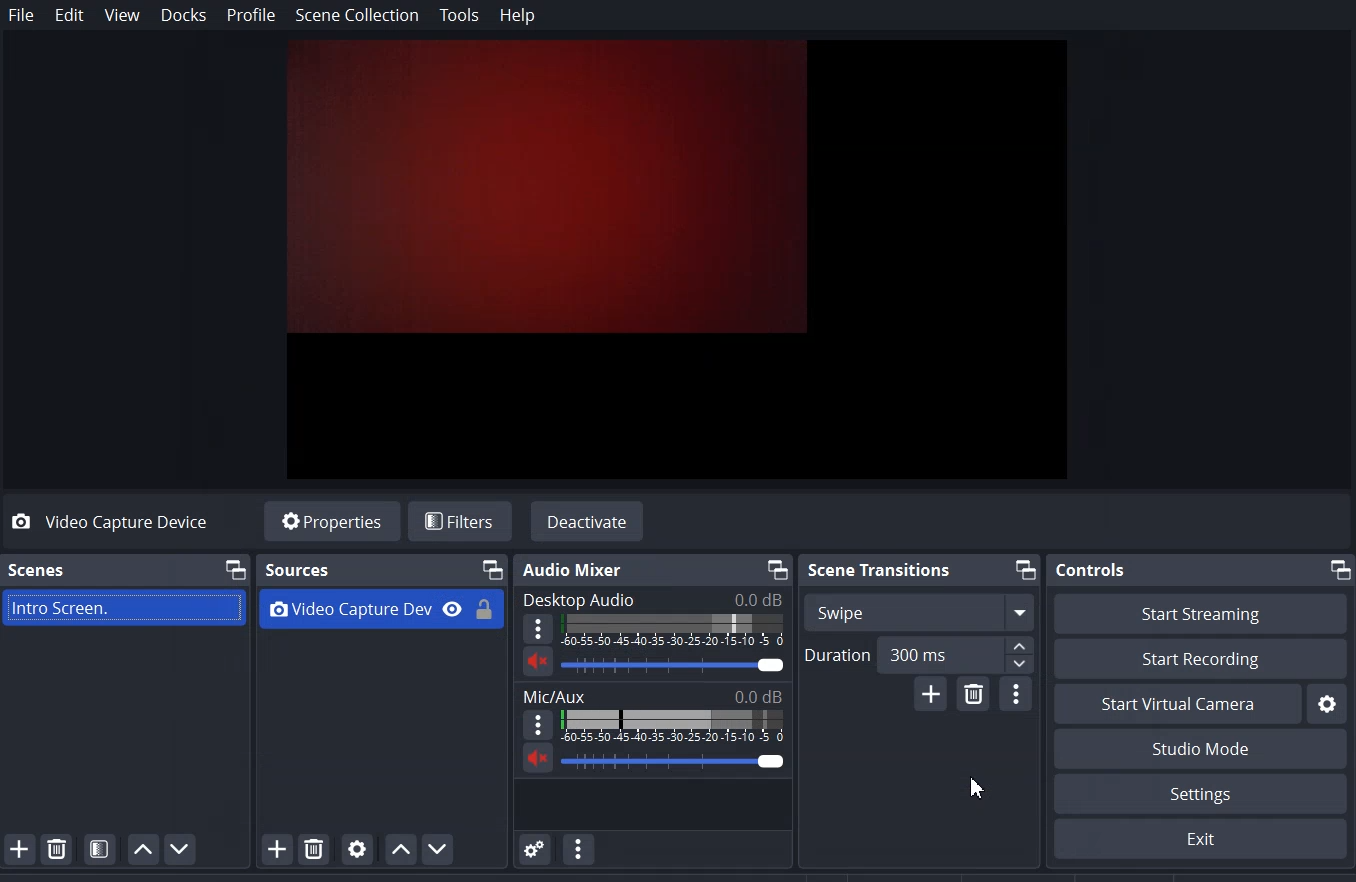  Describe the element at coordinates (314, 849) in the screenshot. I see `Remove Selected Source` at that location.